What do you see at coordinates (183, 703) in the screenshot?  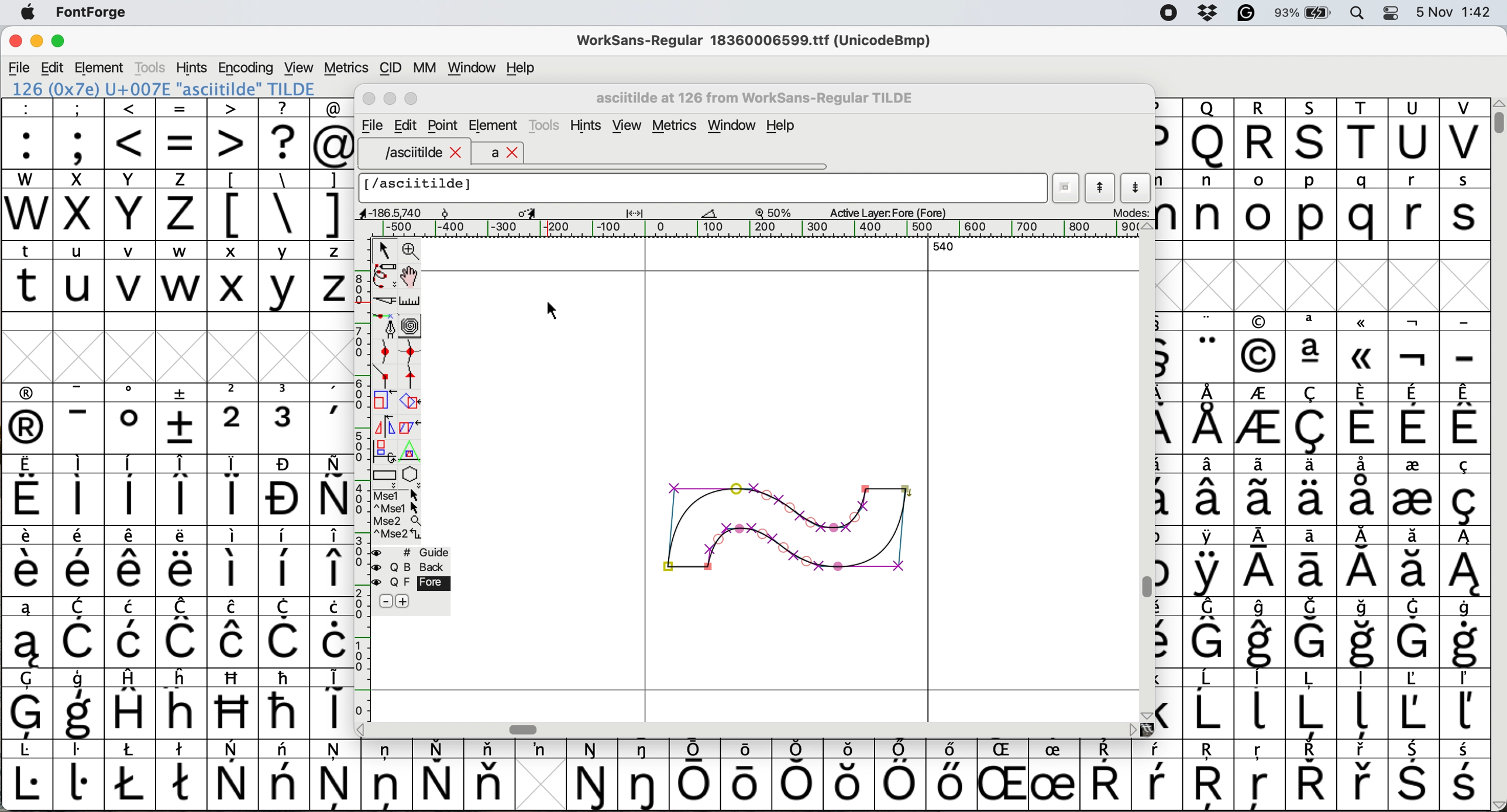 I see `` at bounding box center [183, 703].